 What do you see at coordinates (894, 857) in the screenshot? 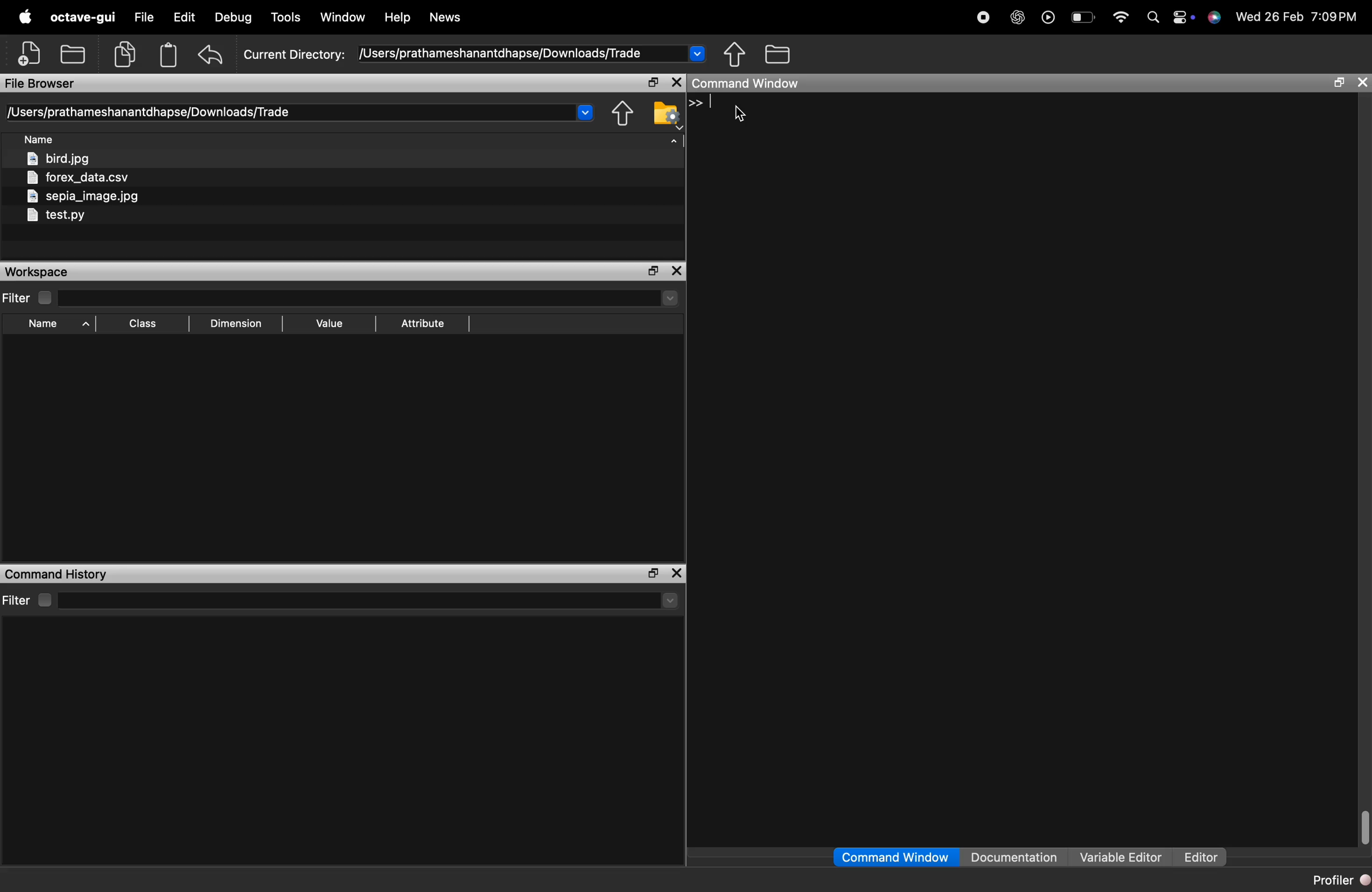
I see `command window` at bounding box center [894, 857].